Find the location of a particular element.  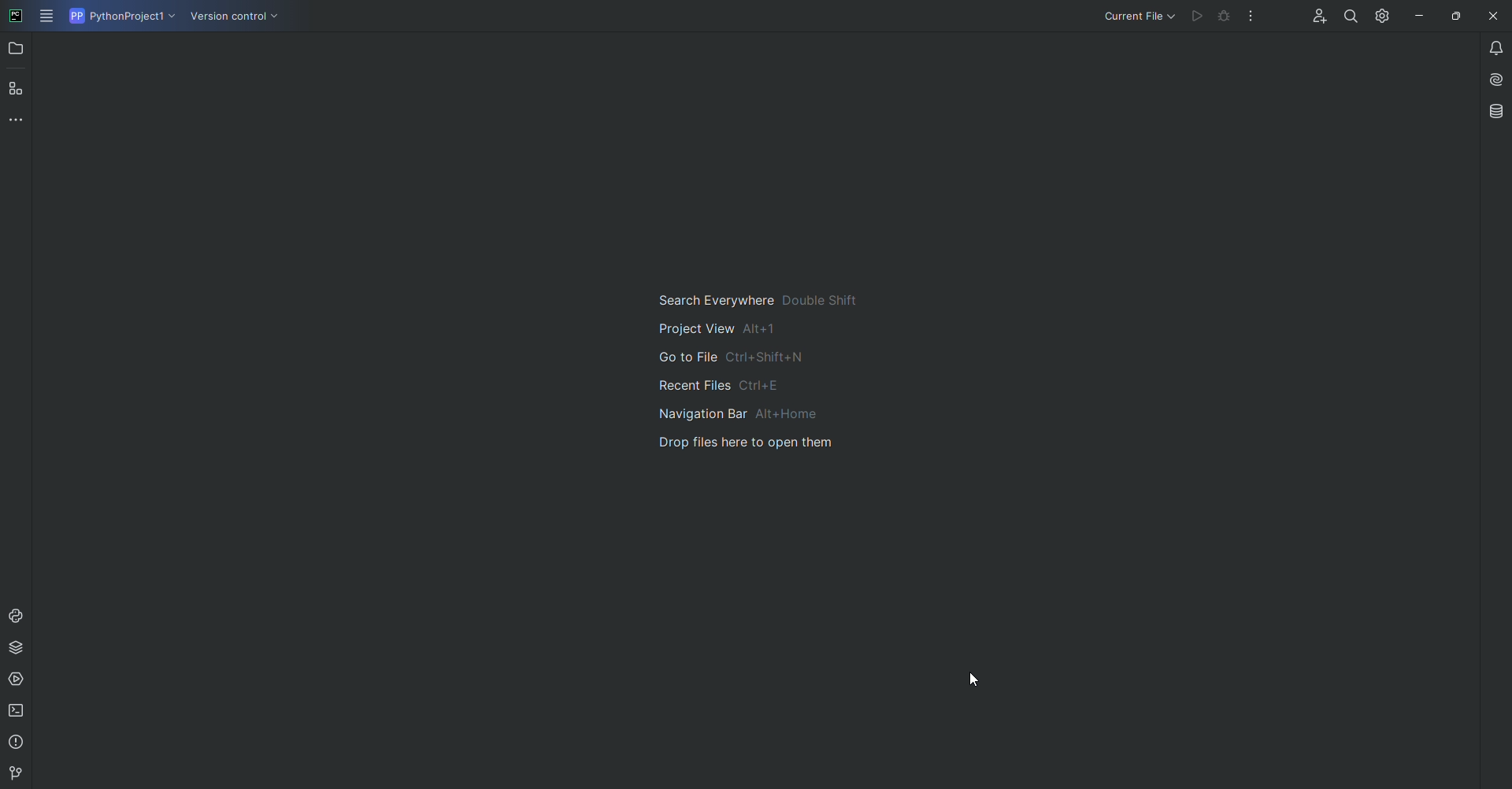

Find is located at coordinates (1351, 16).